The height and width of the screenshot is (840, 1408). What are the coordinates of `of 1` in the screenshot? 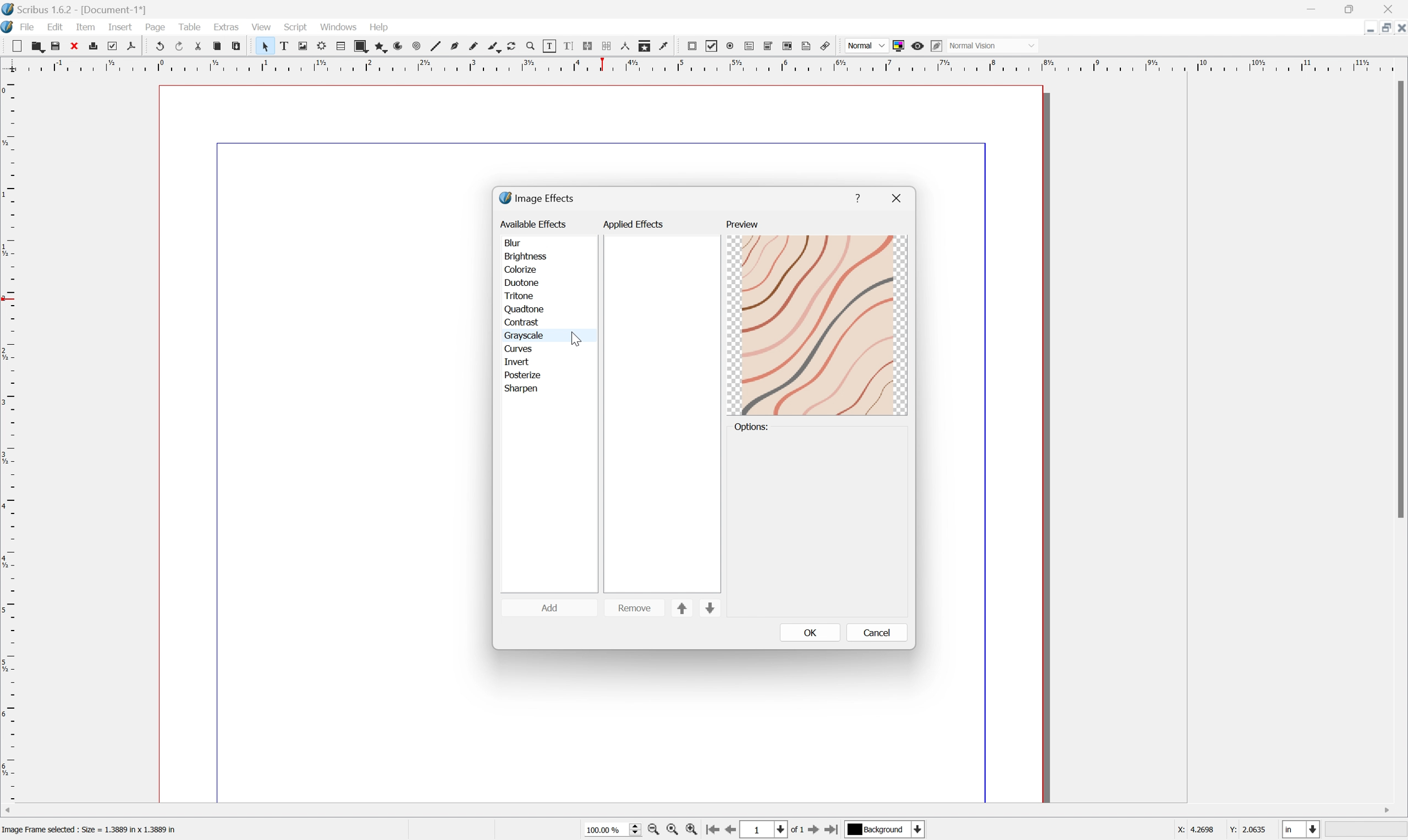 It's located at (799, 832).